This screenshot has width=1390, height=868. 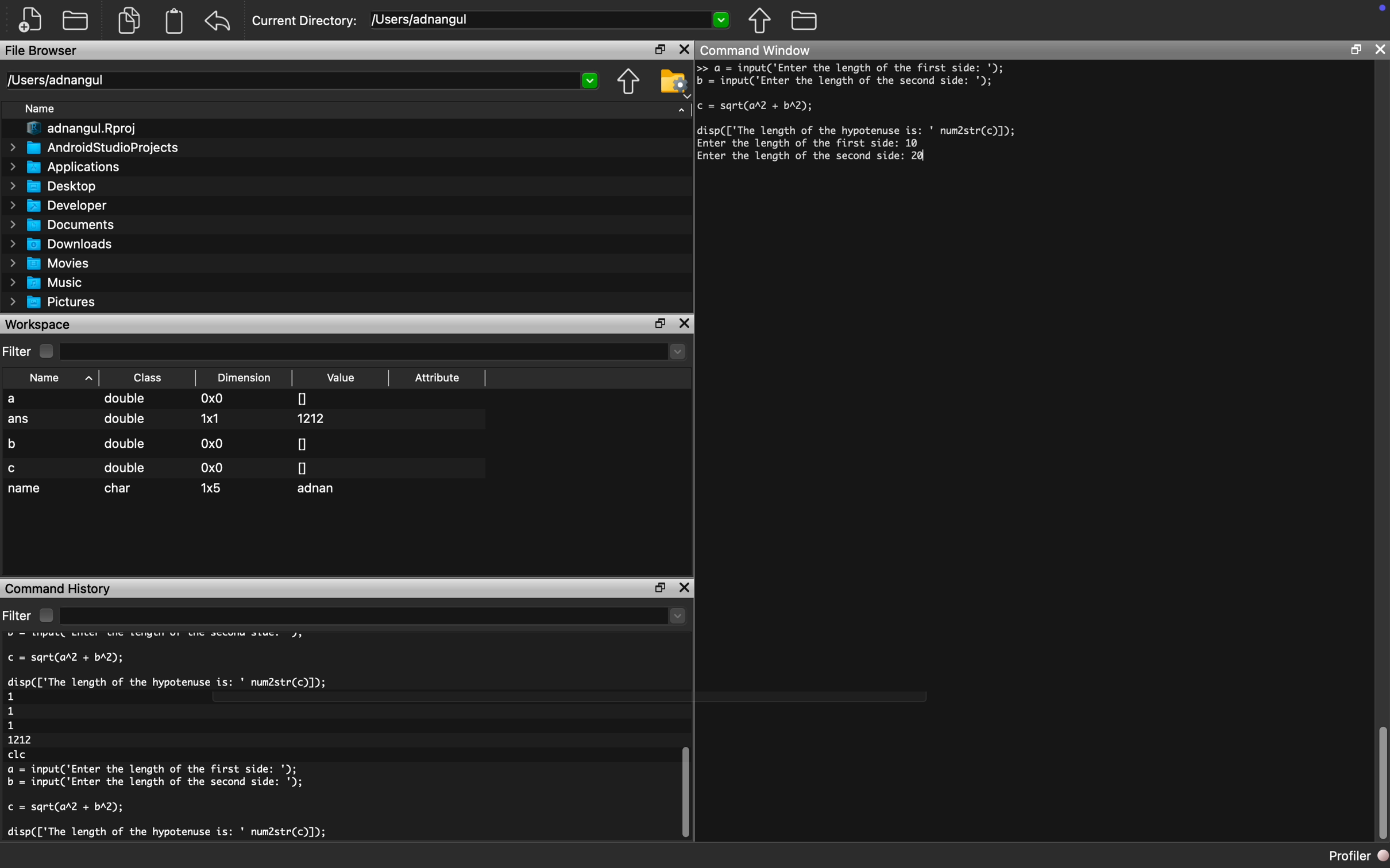 What do you see at coordinates (18, 352) in the screenshot?
I see `Filter` at bounding box center [18, 352].